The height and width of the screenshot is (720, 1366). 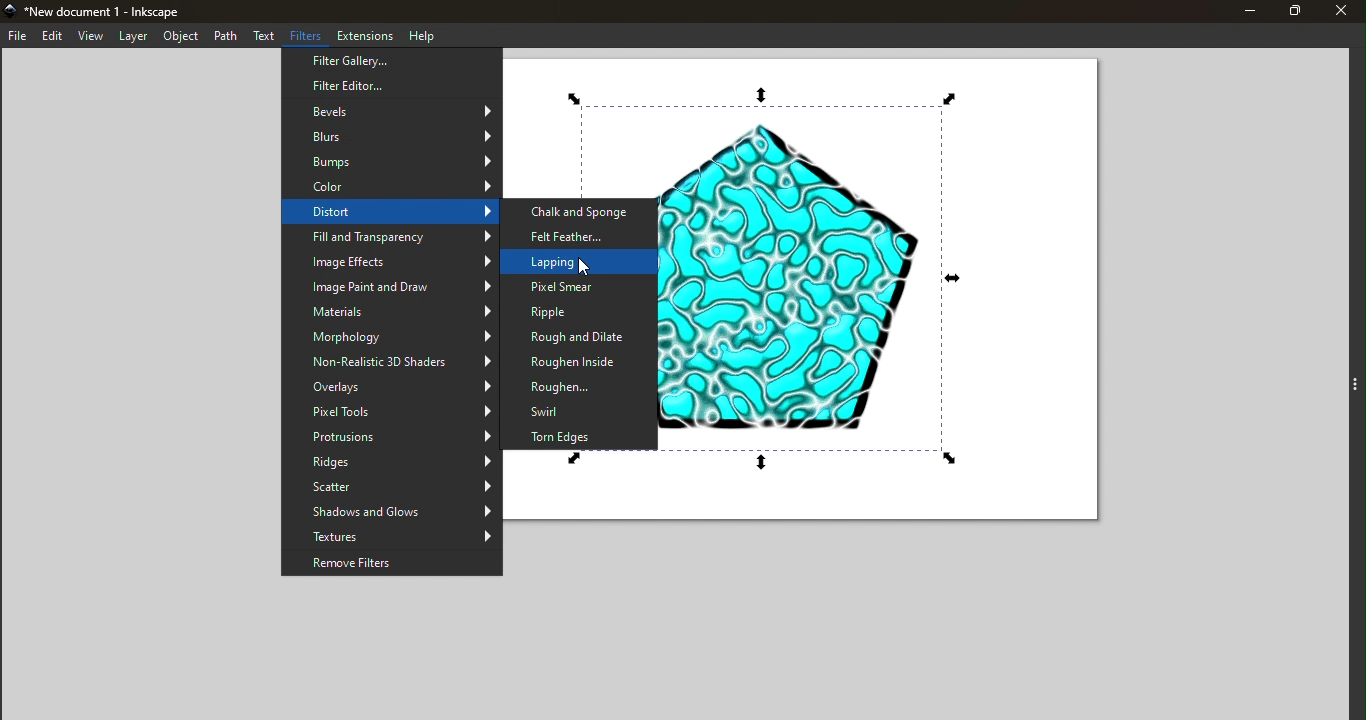 What do you see at coordinates (1295, 11) in the screenshot?
I see `Maximize` at bounding box center [1295, 11].